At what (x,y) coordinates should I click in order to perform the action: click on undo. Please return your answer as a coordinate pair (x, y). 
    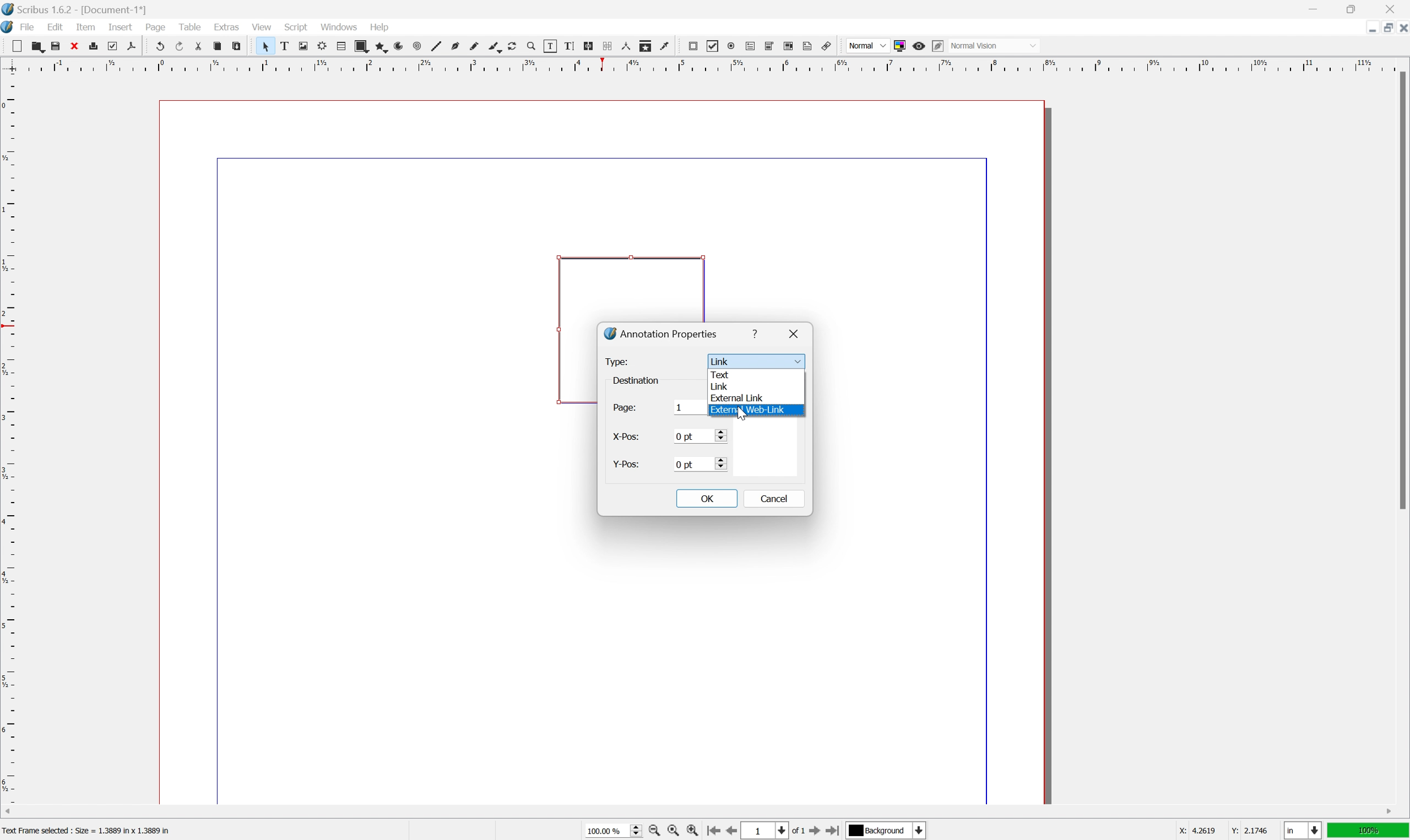
    Looking at the image, I should click on (158, 45).